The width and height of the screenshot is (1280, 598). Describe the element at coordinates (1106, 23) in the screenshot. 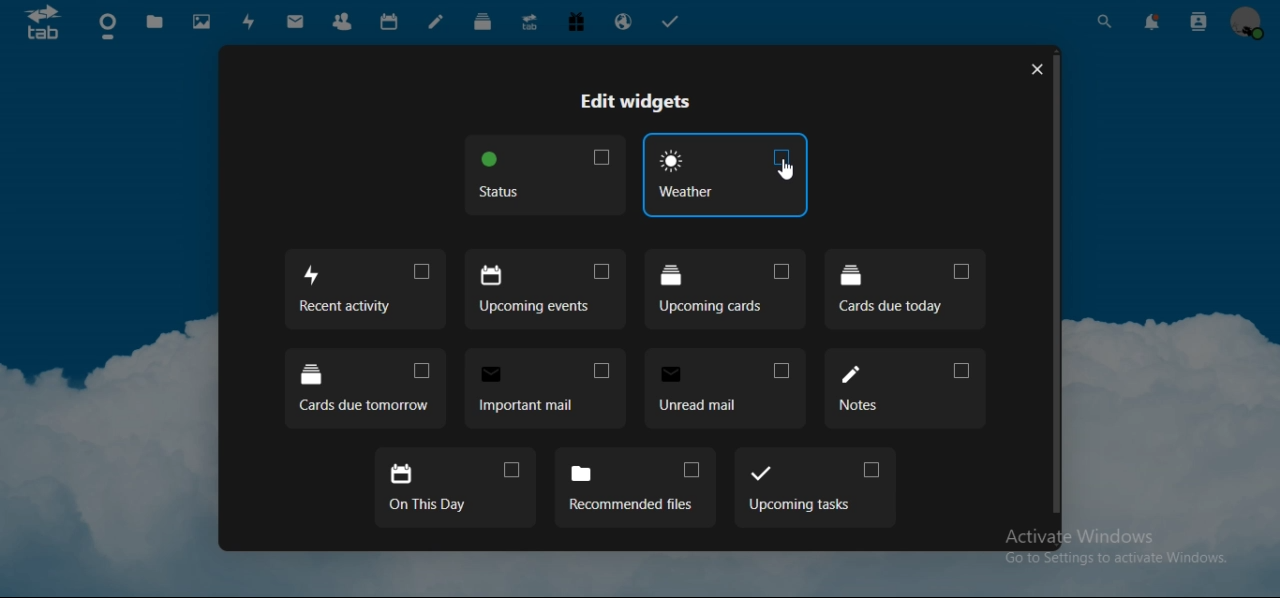

I see `search` at that location.